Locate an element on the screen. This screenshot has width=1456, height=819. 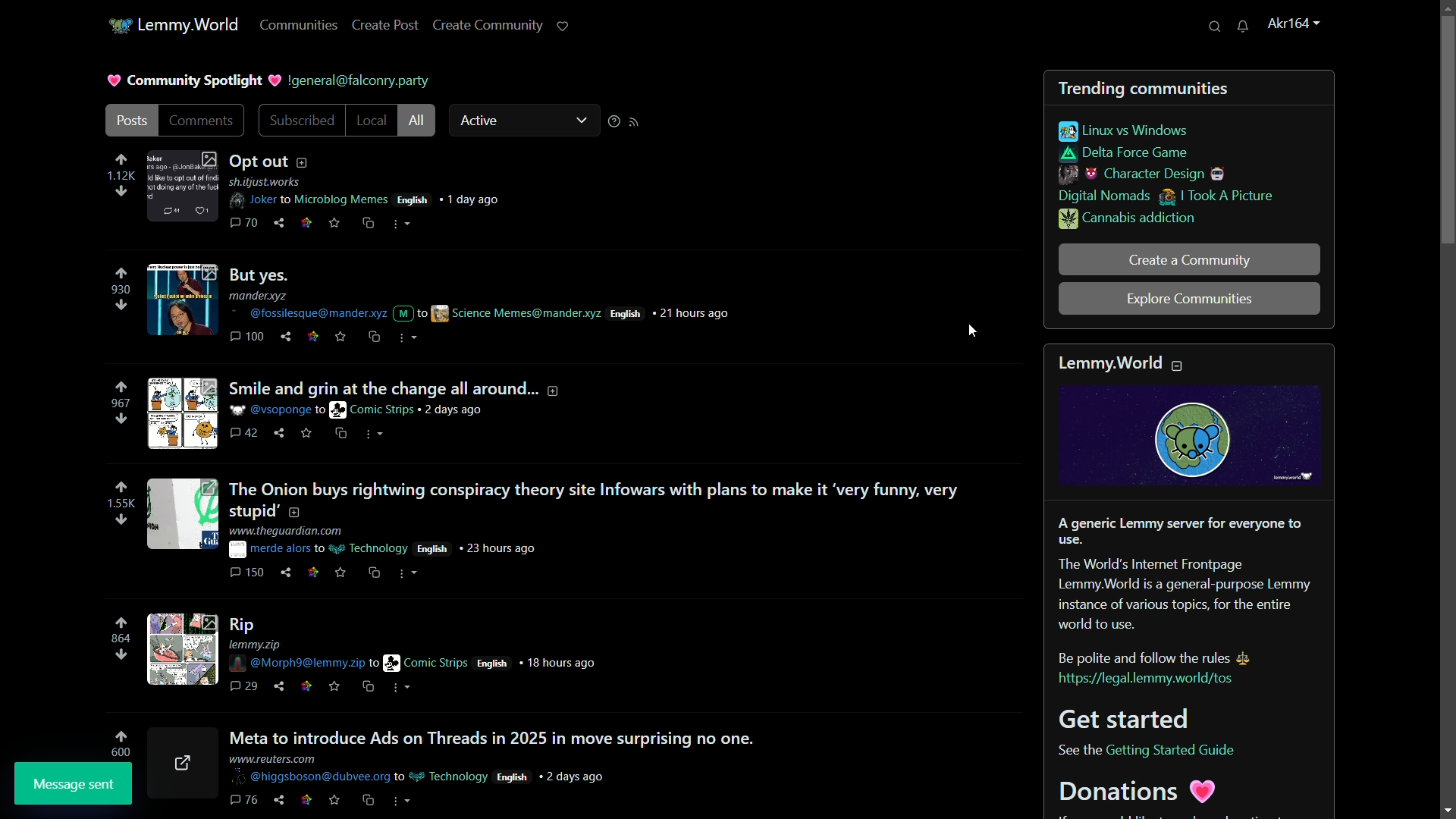
create community is located at coordinates (488, 27).